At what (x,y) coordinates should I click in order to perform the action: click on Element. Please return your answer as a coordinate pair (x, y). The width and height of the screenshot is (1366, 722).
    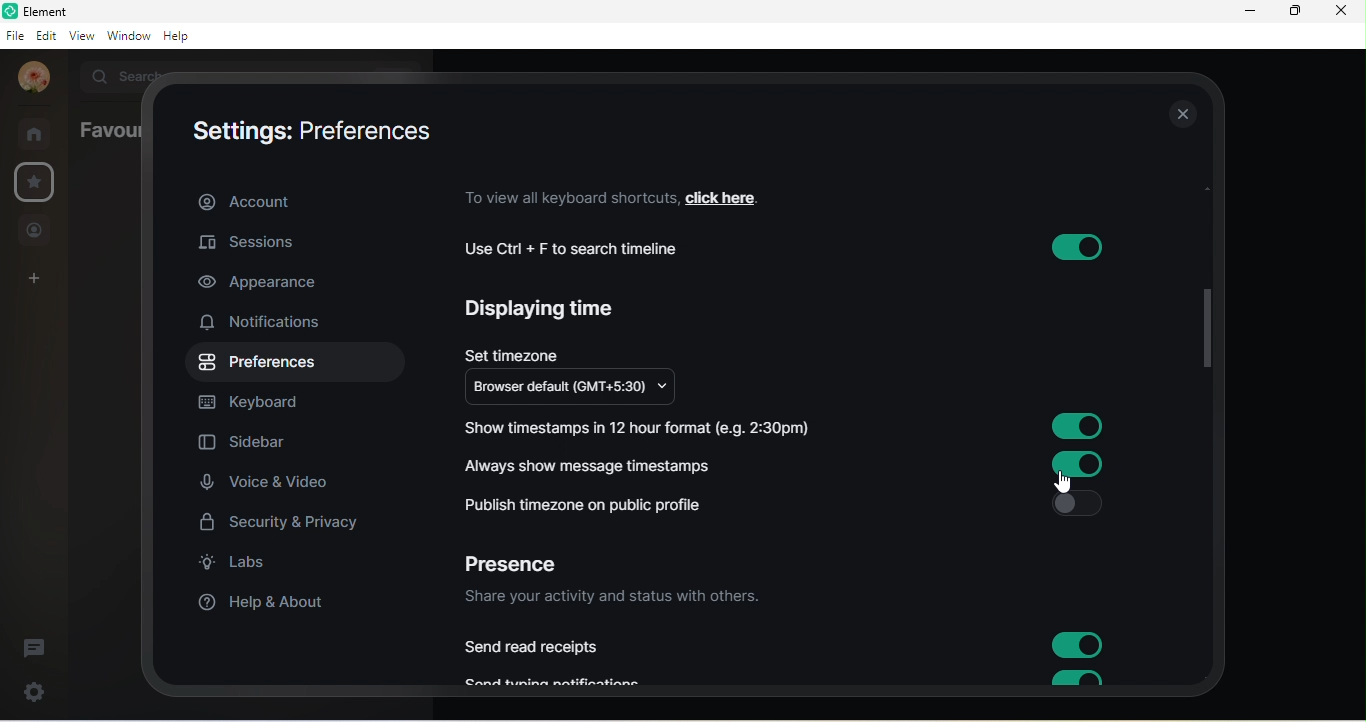
    Looking at the image, I should click on (43, 11).